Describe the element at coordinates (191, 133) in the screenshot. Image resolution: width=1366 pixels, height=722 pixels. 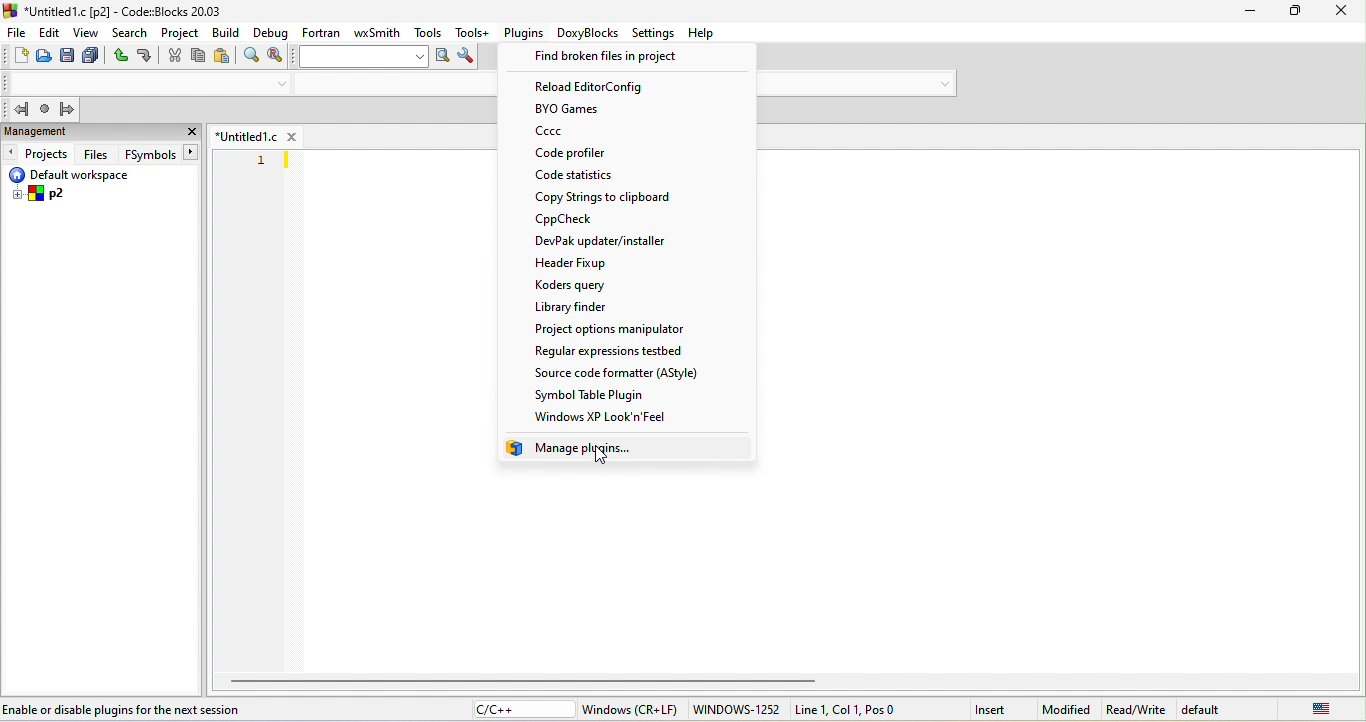
I see `close` at that location.